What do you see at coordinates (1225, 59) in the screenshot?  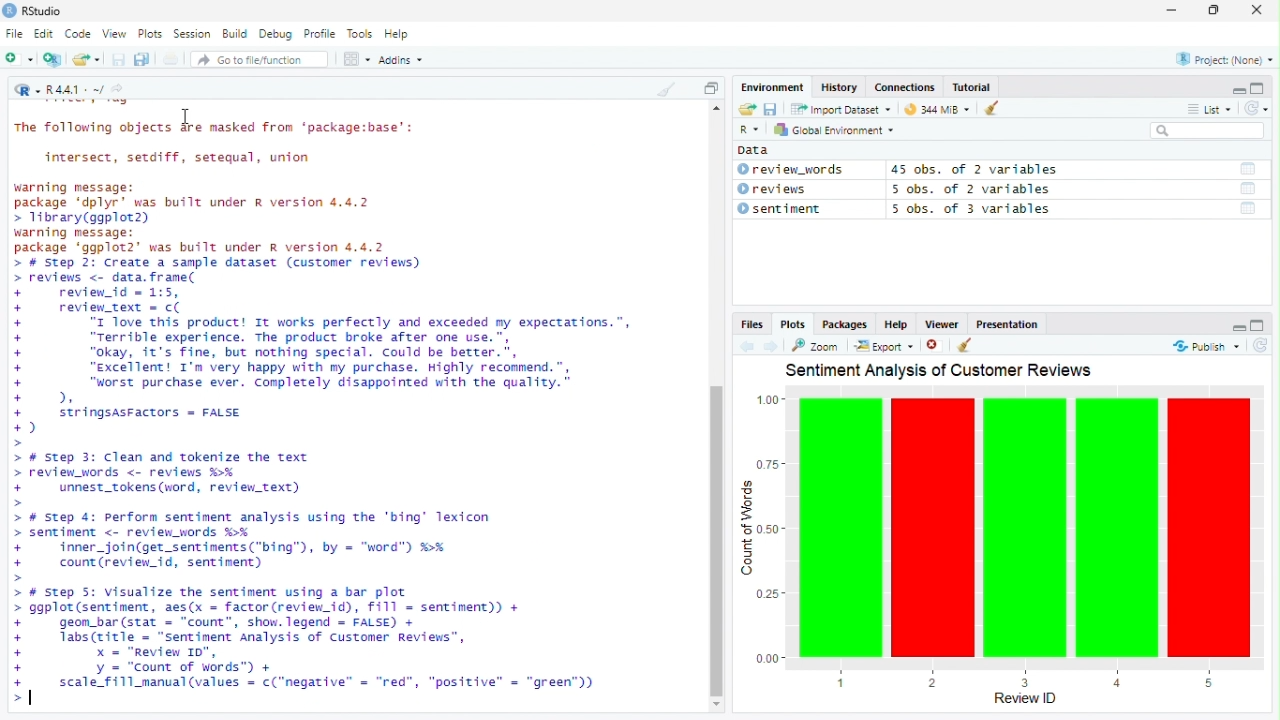 I see `Project: (None)` at bounding box center [1225, 59].